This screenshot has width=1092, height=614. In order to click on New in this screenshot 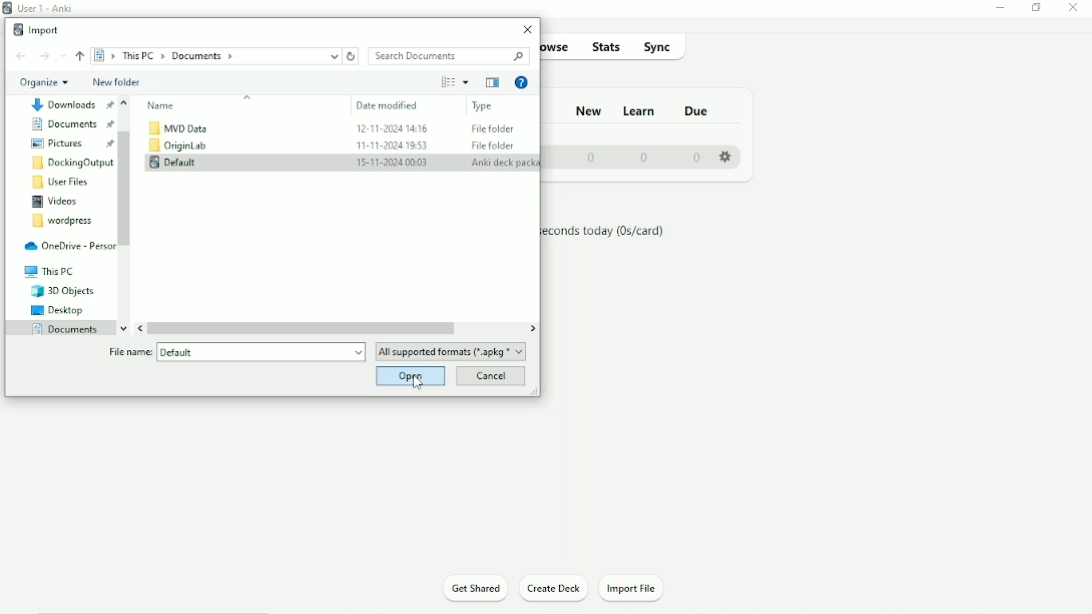, I will do `click(589, 110)`.